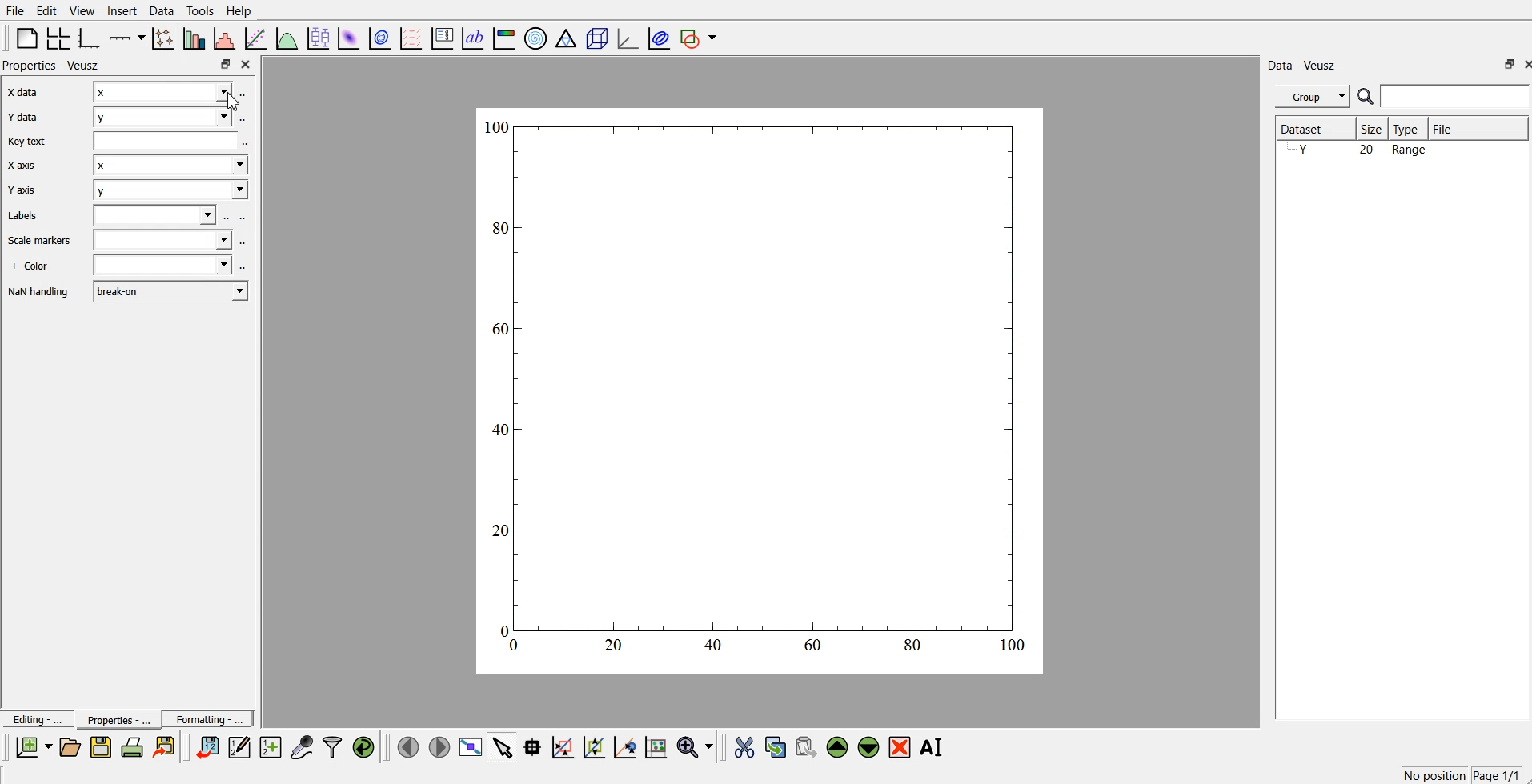  I want to click on plot a vector field, so click(413, 38).